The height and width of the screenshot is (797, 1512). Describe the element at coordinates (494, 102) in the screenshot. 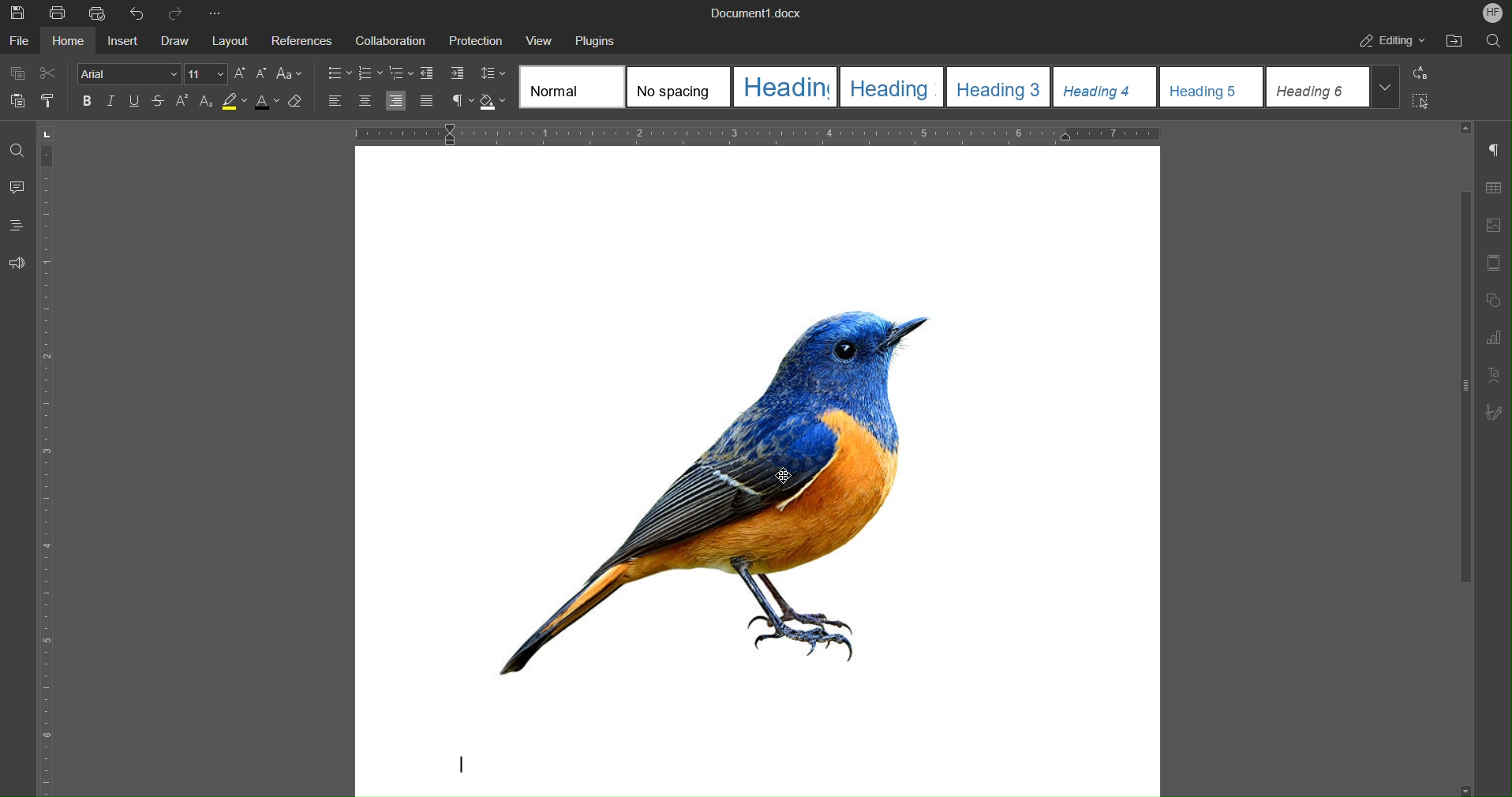

I see `Shading` at that location.